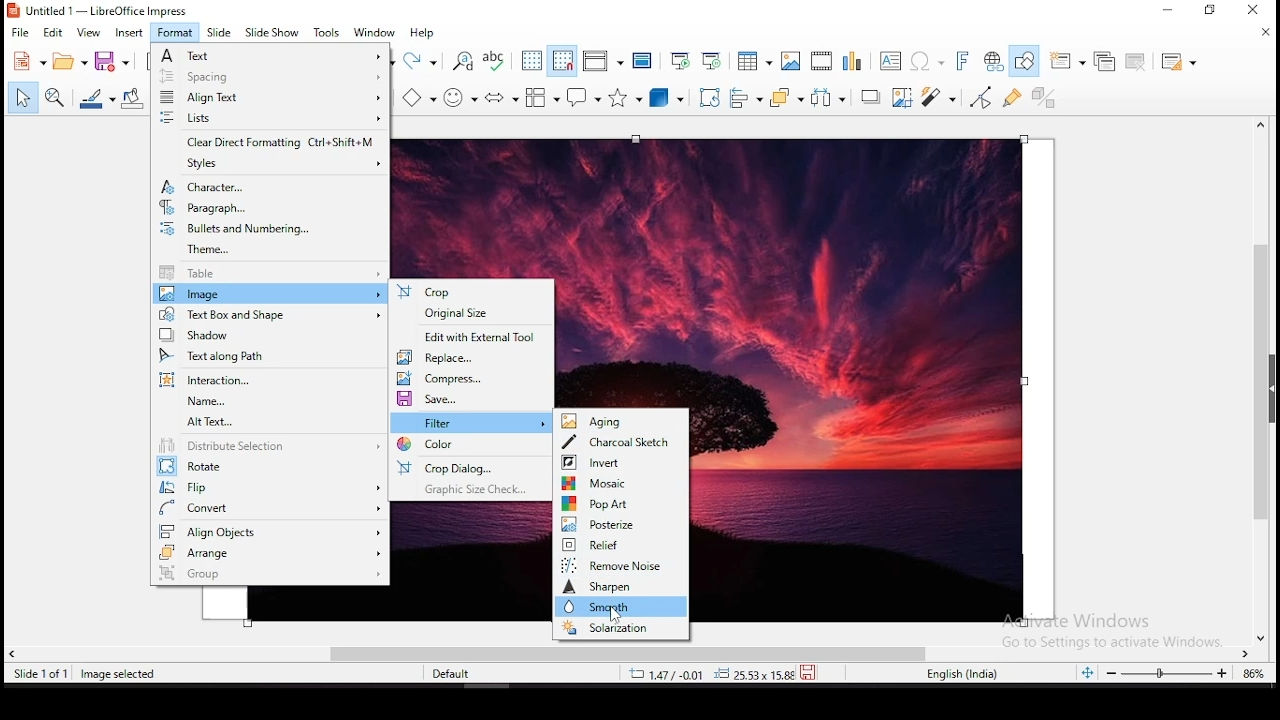  Describe the element at coordinates (474, 377) in the screenshot. I see `compress` at that location.